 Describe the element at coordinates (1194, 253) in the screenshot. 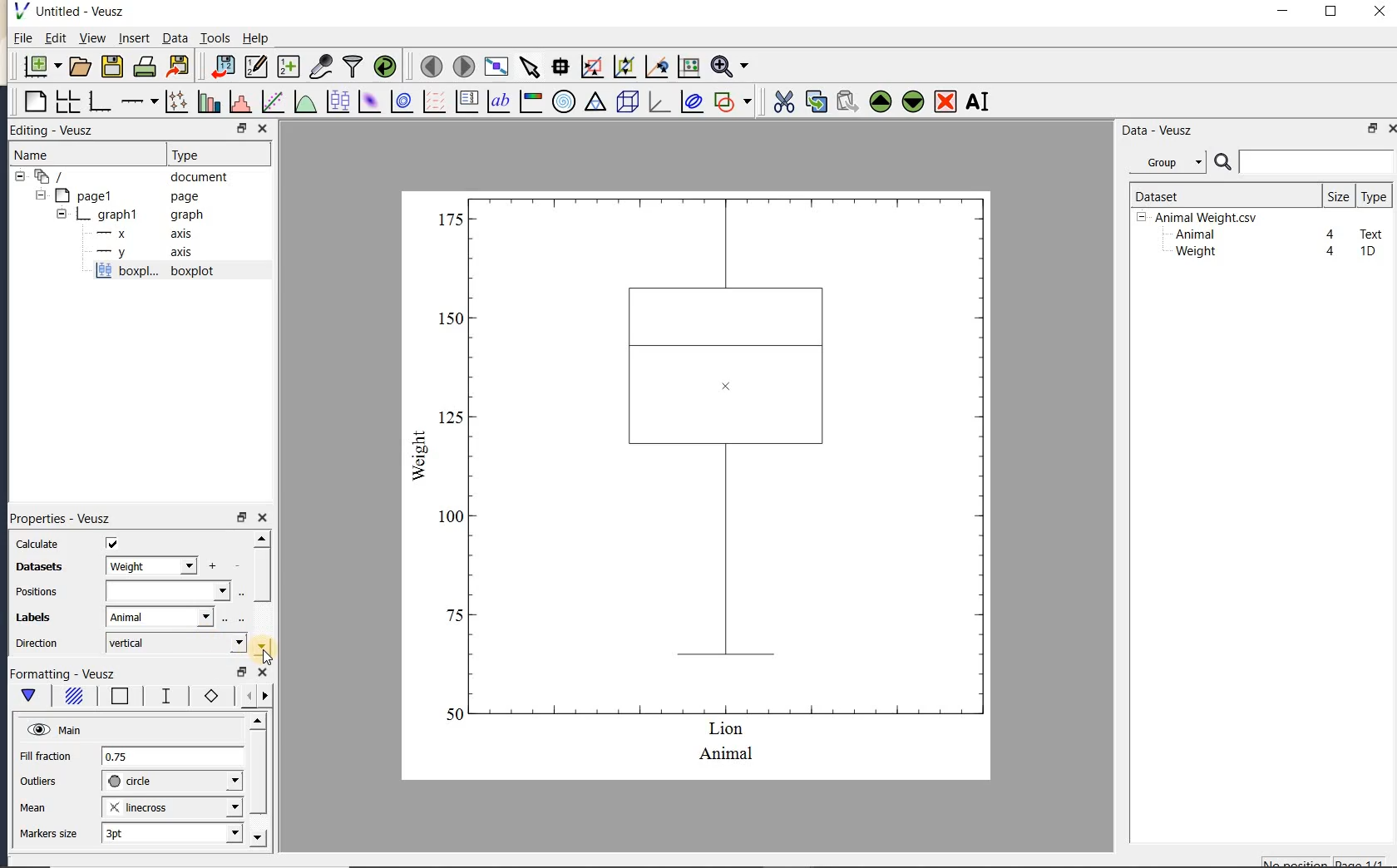

I see `Weight` at that location.